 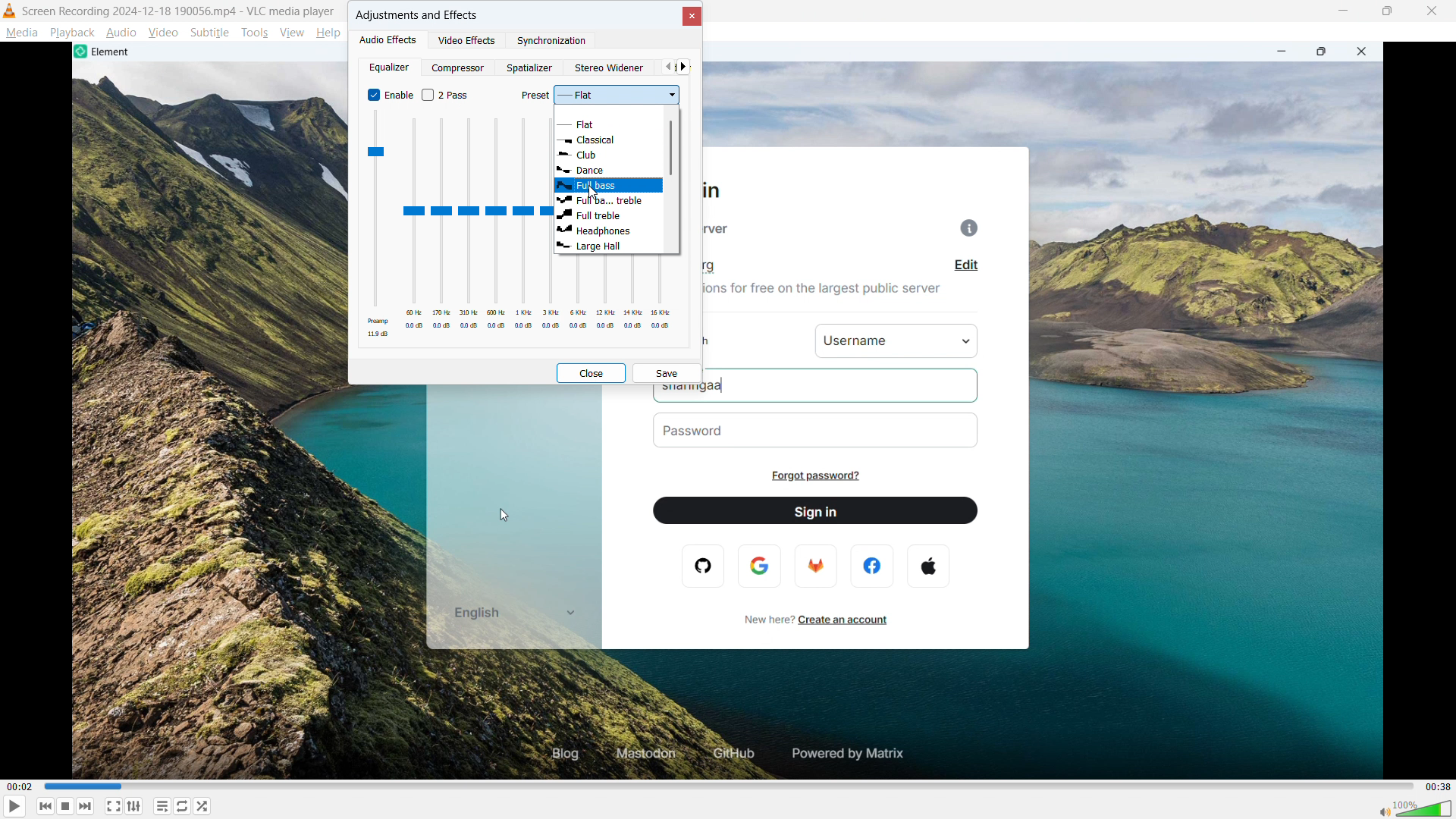 I want to click on Stop playback , so click(x=74, y=805).